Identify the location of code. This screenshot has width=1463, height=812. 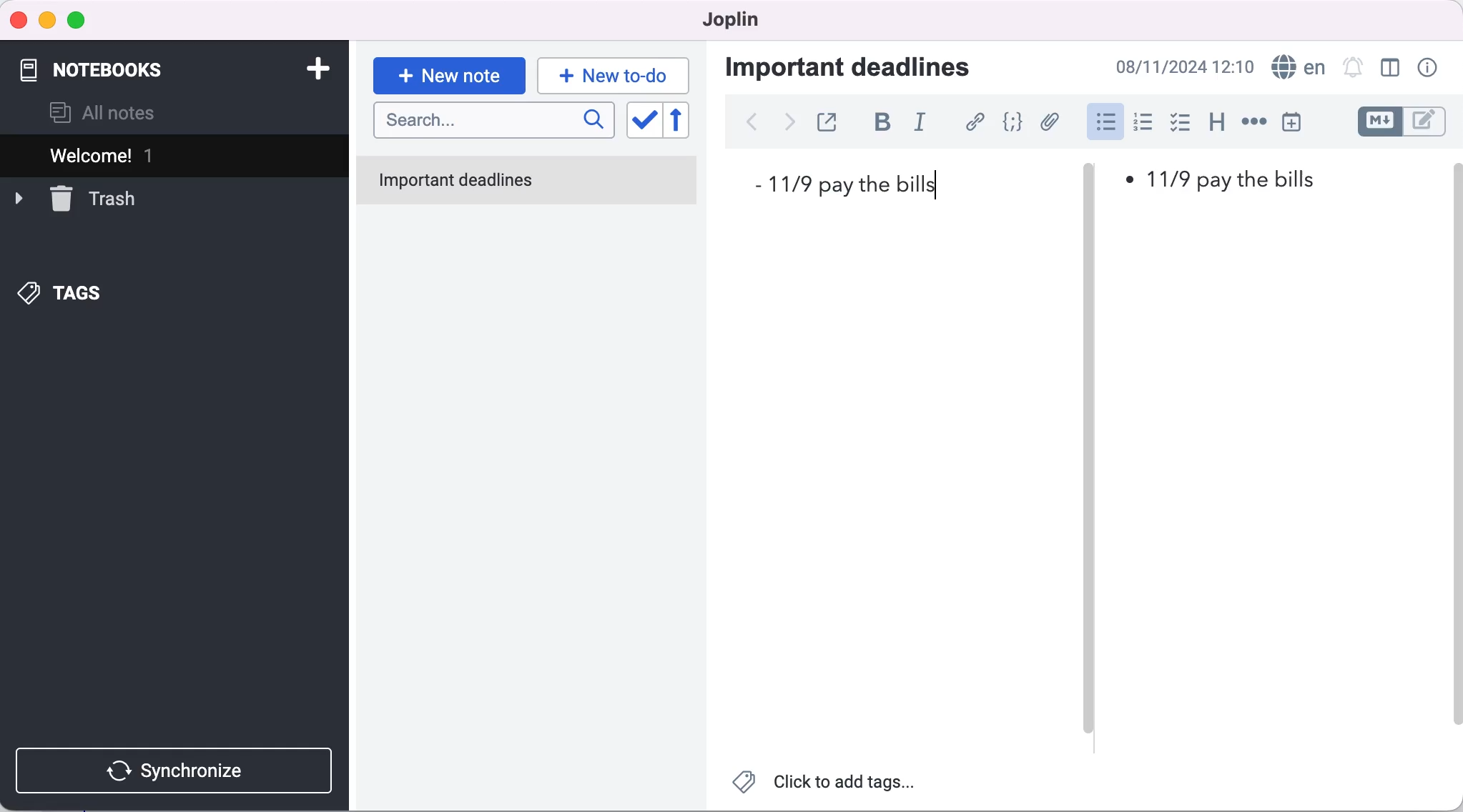
(1013, 123).